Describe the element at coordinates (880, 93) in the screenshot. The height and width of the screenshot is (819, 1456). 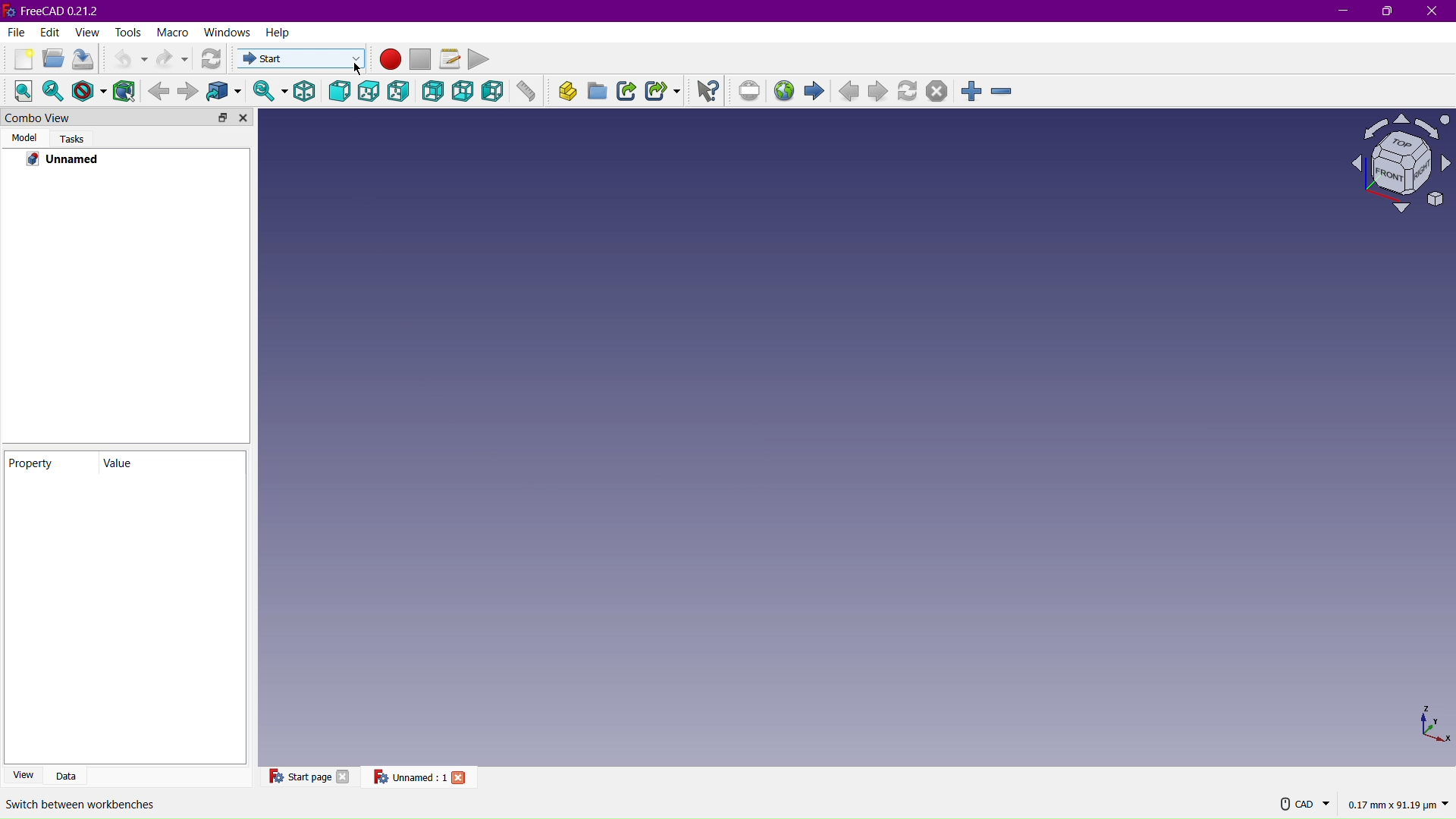
I see `Next page` at that location.